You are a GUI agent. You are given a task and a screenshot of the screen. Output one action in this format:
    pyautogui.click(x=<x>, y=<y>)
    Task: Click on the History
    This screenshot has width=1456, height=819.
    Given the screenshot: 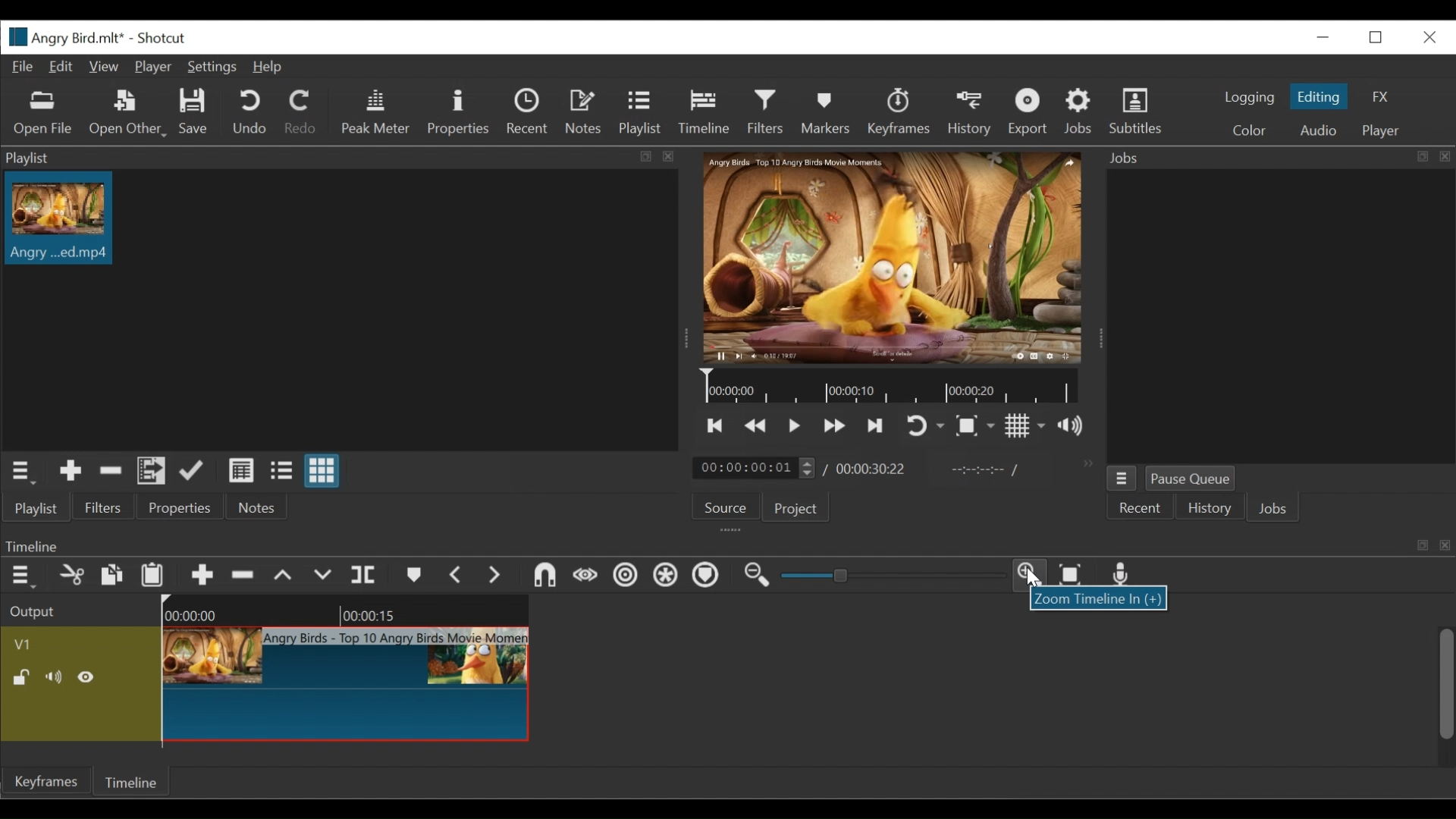 What is the action you would take?
    pyautogui.click(x=1210, y=508)
    